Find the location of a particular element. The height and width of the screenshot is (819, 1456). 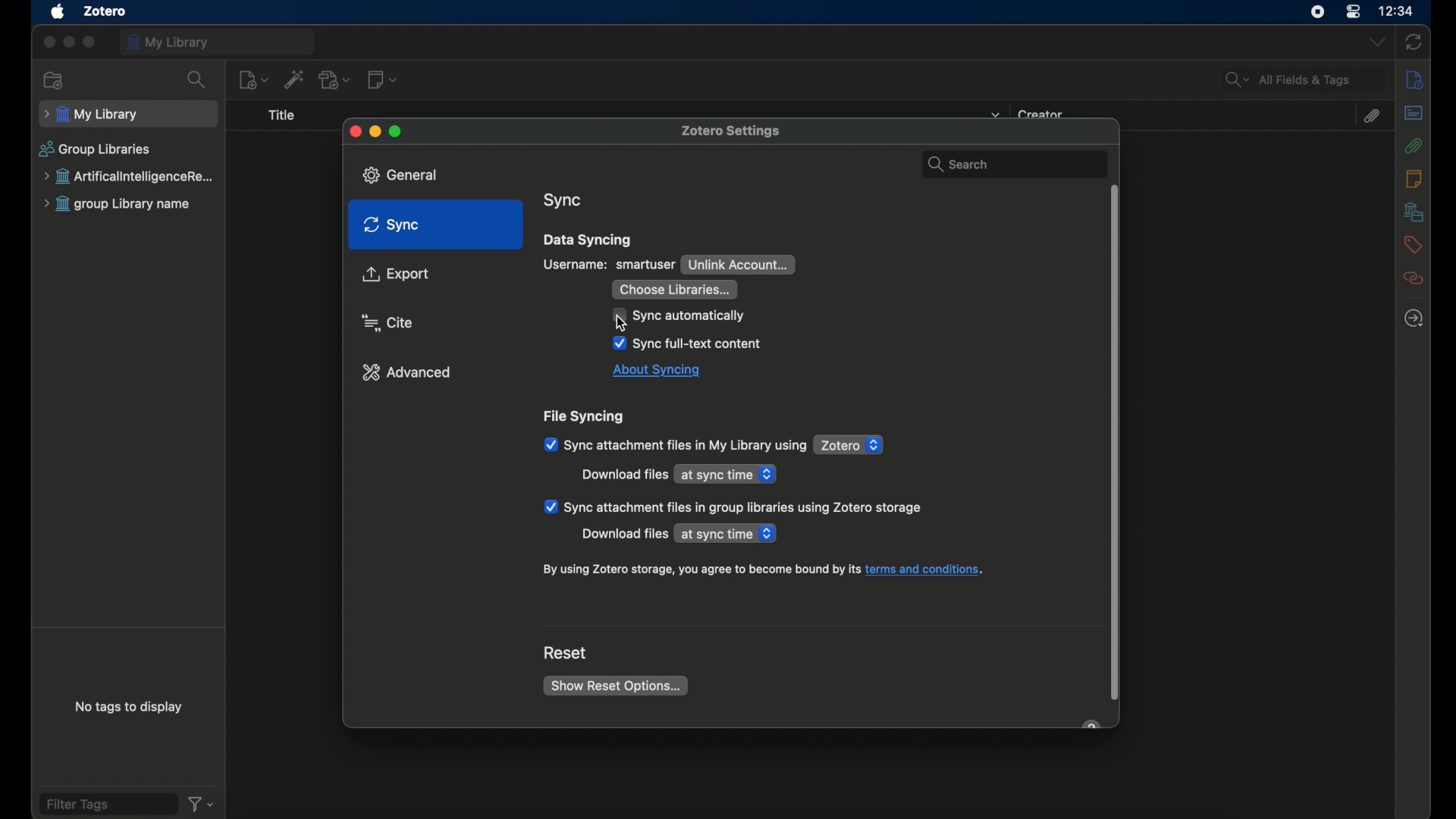

zotero is located at coordinates (106, 11).